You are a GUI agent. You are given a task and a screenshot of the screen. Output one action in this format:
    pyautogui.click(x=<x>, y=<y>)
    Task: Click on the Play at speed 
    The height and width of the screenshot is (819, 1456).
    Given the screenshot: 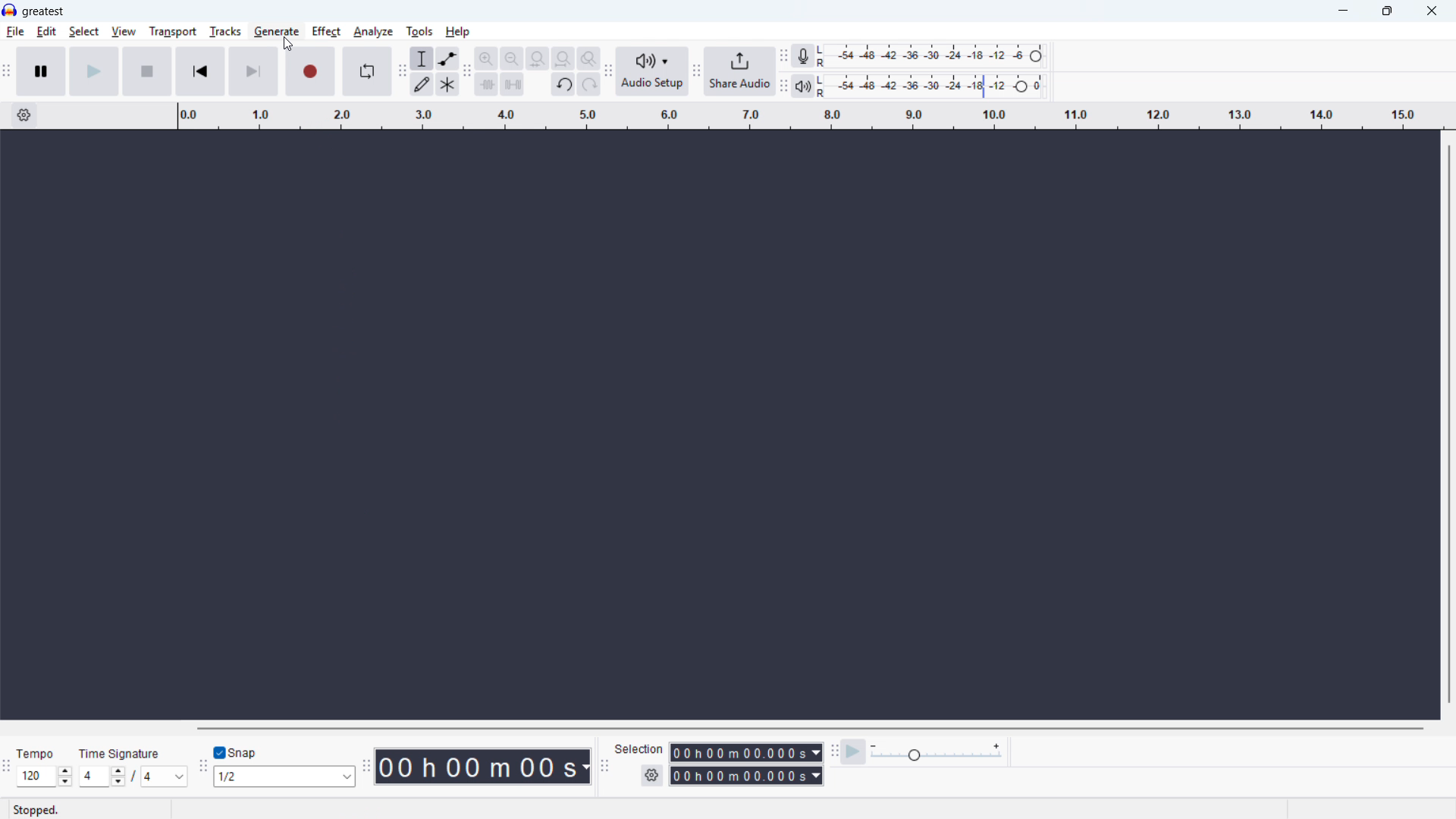 What is the action you would take?
    pyautogui.click(x=854, y=752)
    